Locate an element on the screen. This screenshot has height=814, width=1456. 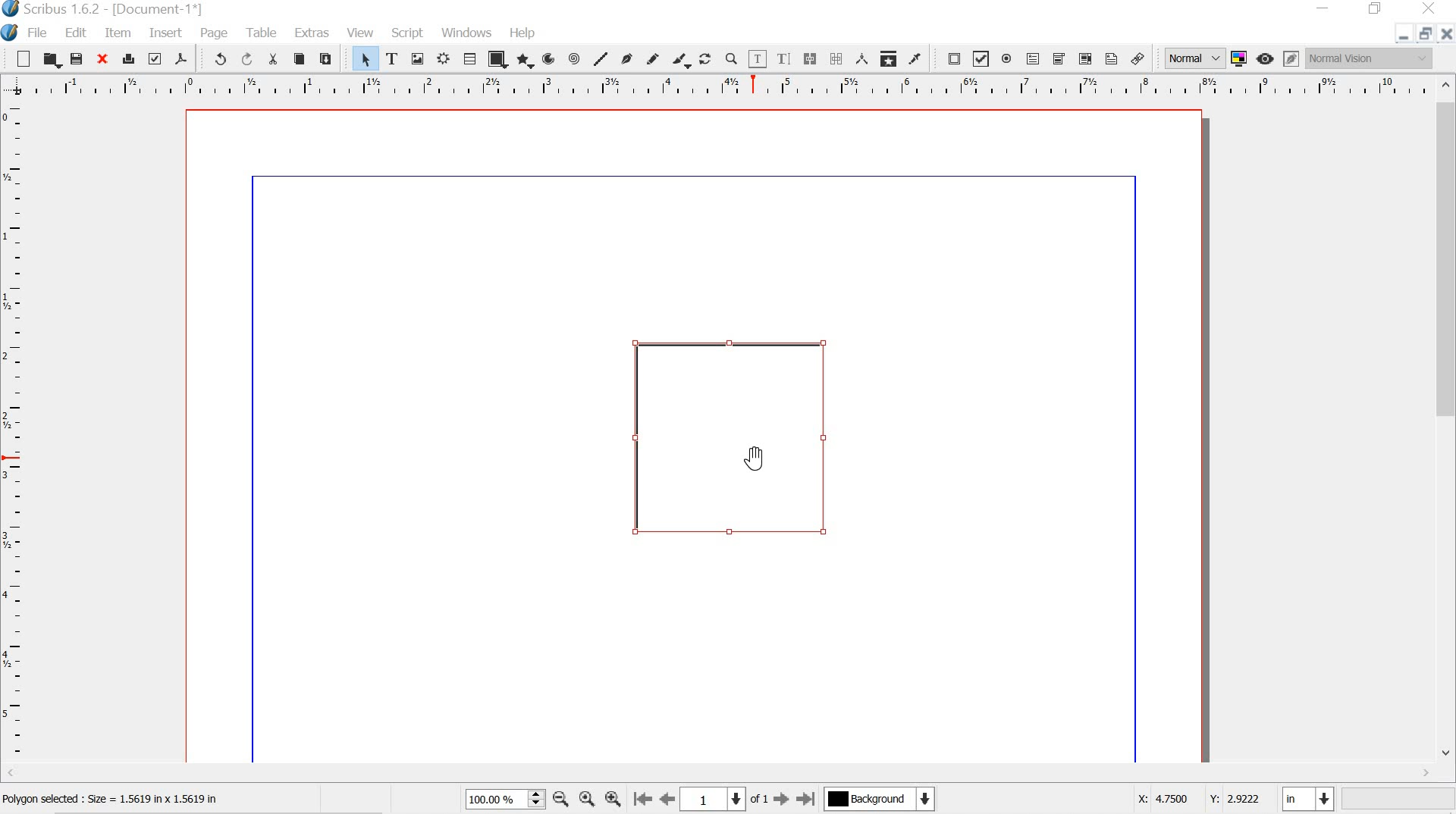
open is located at coordinates (52, 59).